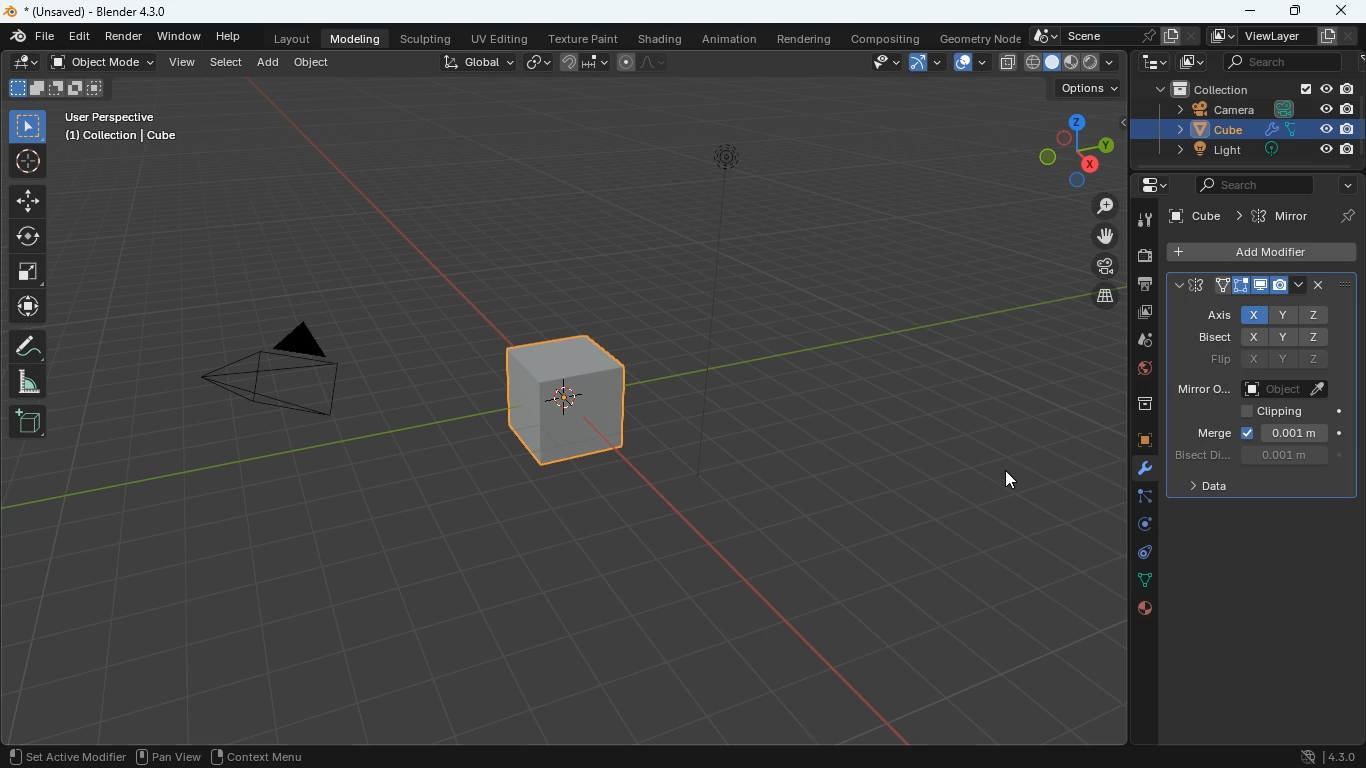  What do you see at coordinates (645, 63) in the screenshot?
I see `line` at bounding box center [645, 63].